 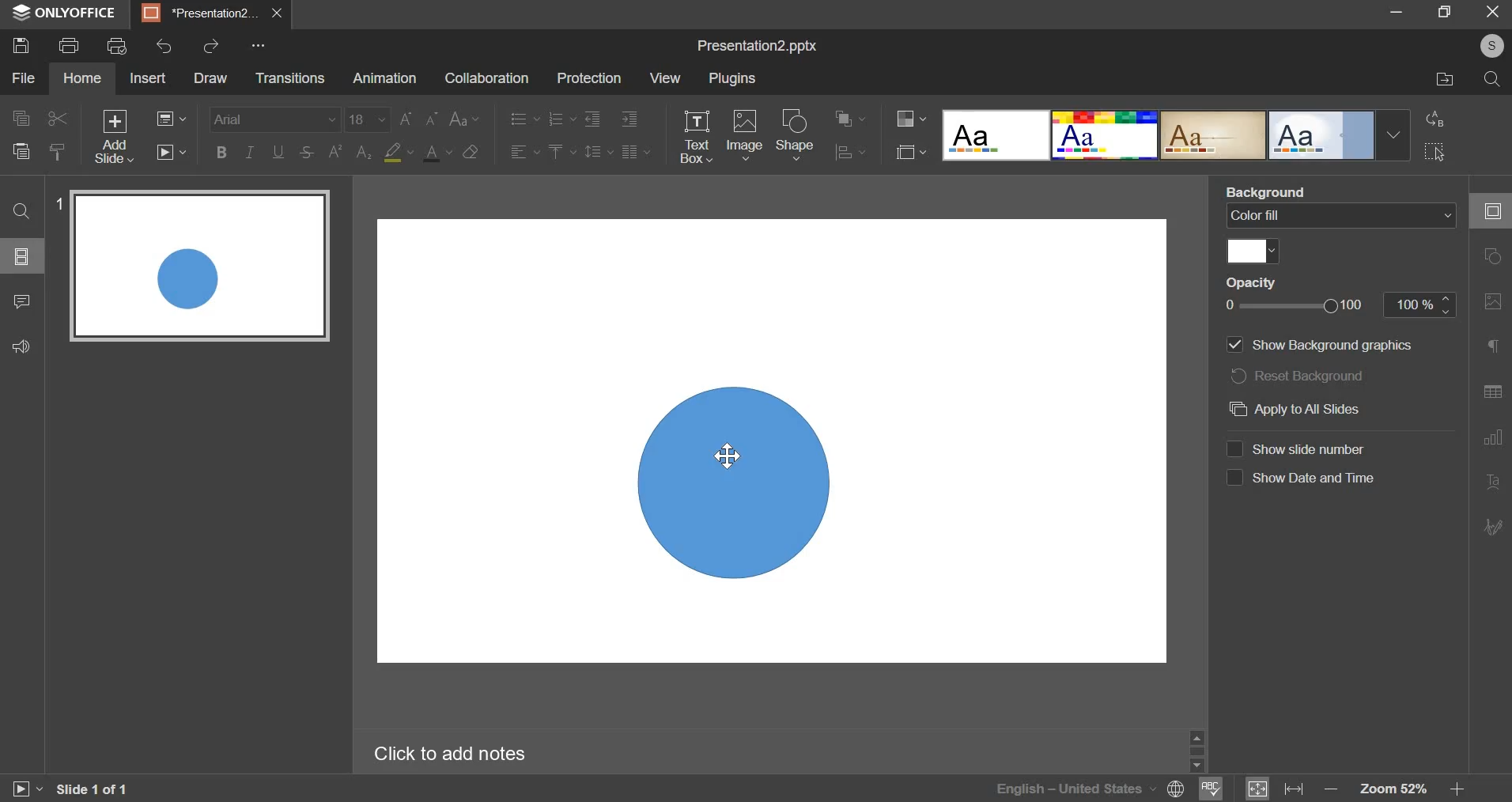 I want to click on print preview, so click(x=119, y=46).